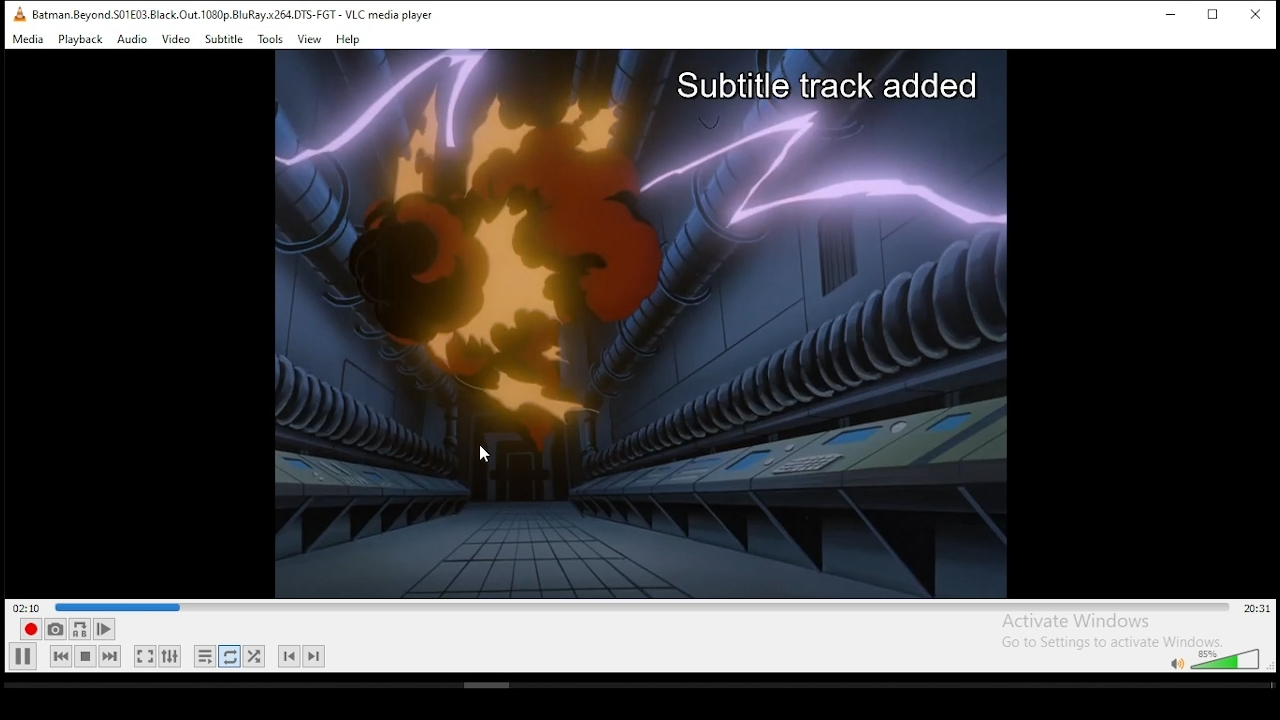  What do you see at coordinates (61, 657) in the screenshot?
I see `previous media in playlist, skips backward when held` at bounding box center [61, 657].